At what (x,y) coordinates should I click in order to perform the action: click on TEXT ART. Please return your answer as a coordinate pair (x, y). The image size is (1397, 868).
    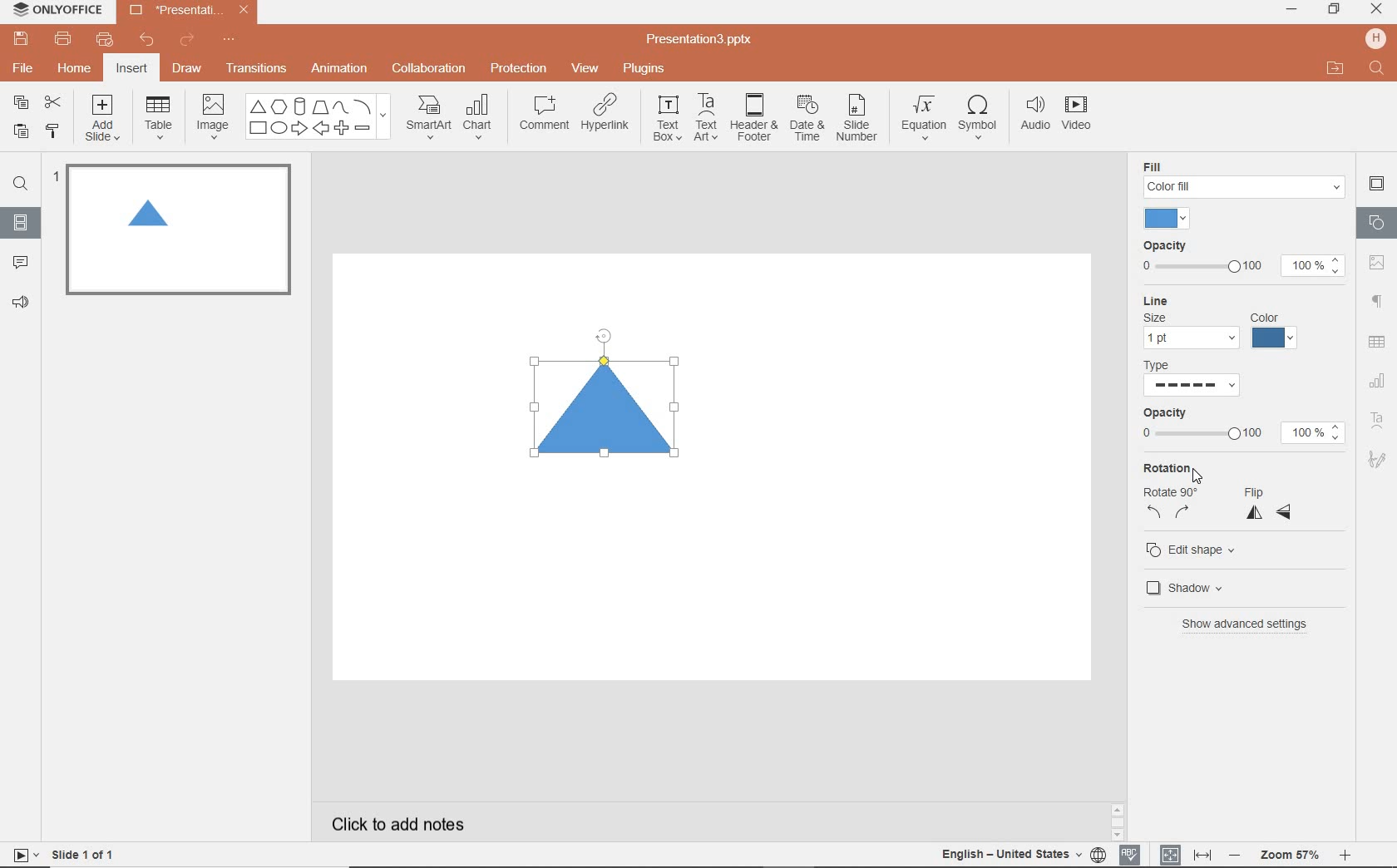
    Looking at the image, I should click on (704, 119).